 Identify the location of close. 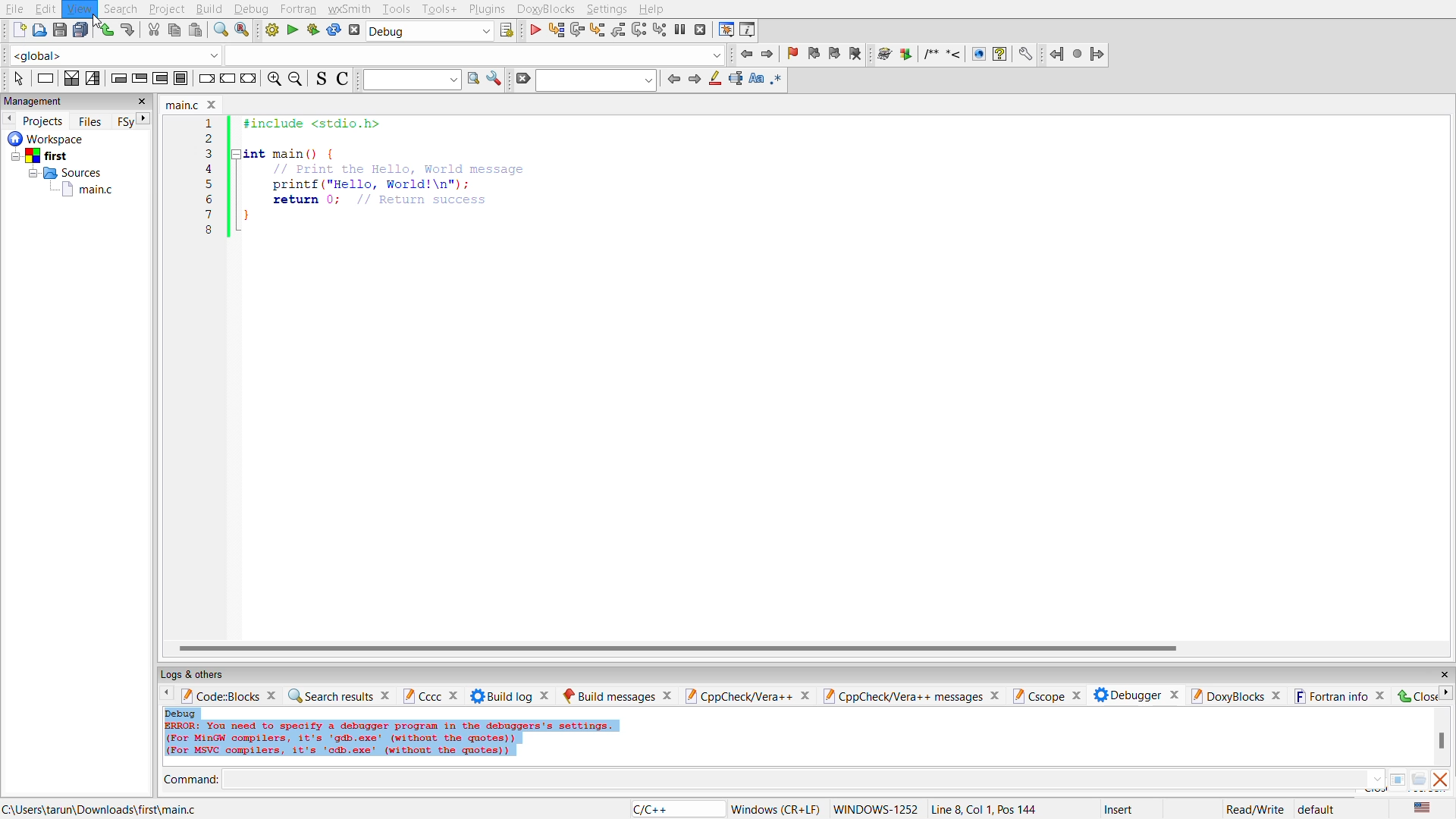
(1416, 695).